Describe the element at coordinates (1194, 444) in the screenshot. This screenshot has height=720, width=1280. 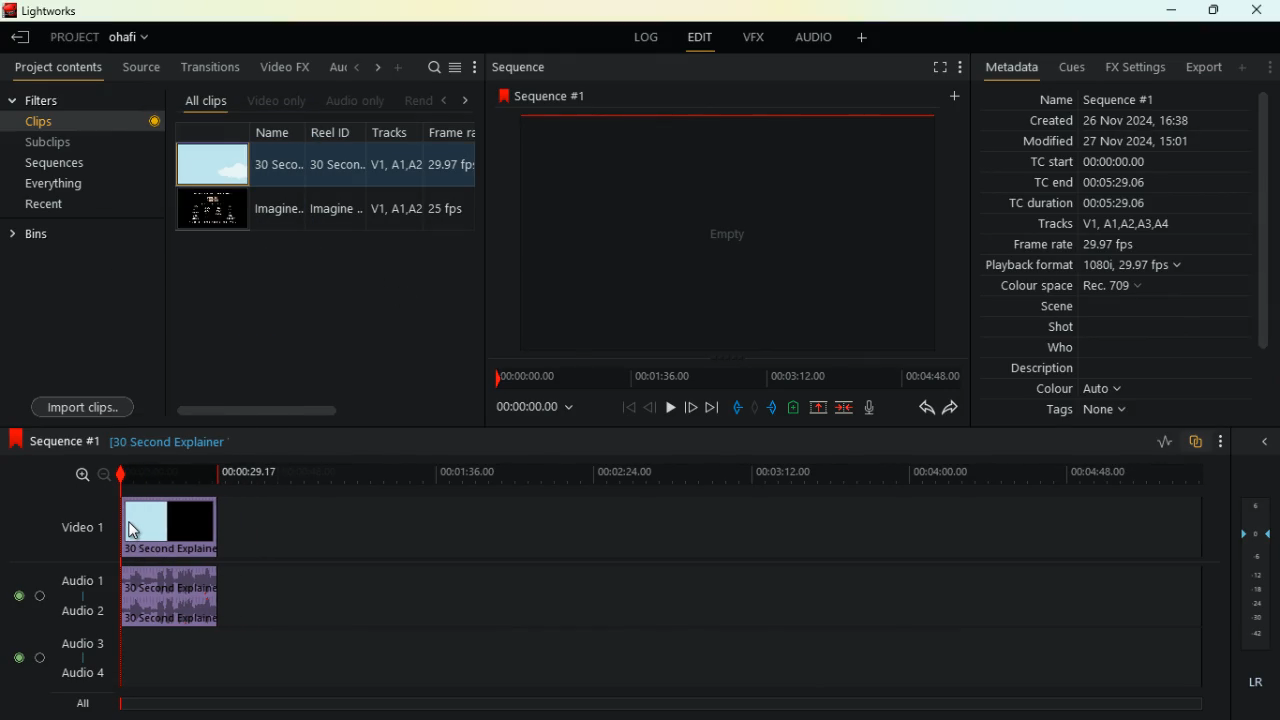
I see `overlap` at that location.